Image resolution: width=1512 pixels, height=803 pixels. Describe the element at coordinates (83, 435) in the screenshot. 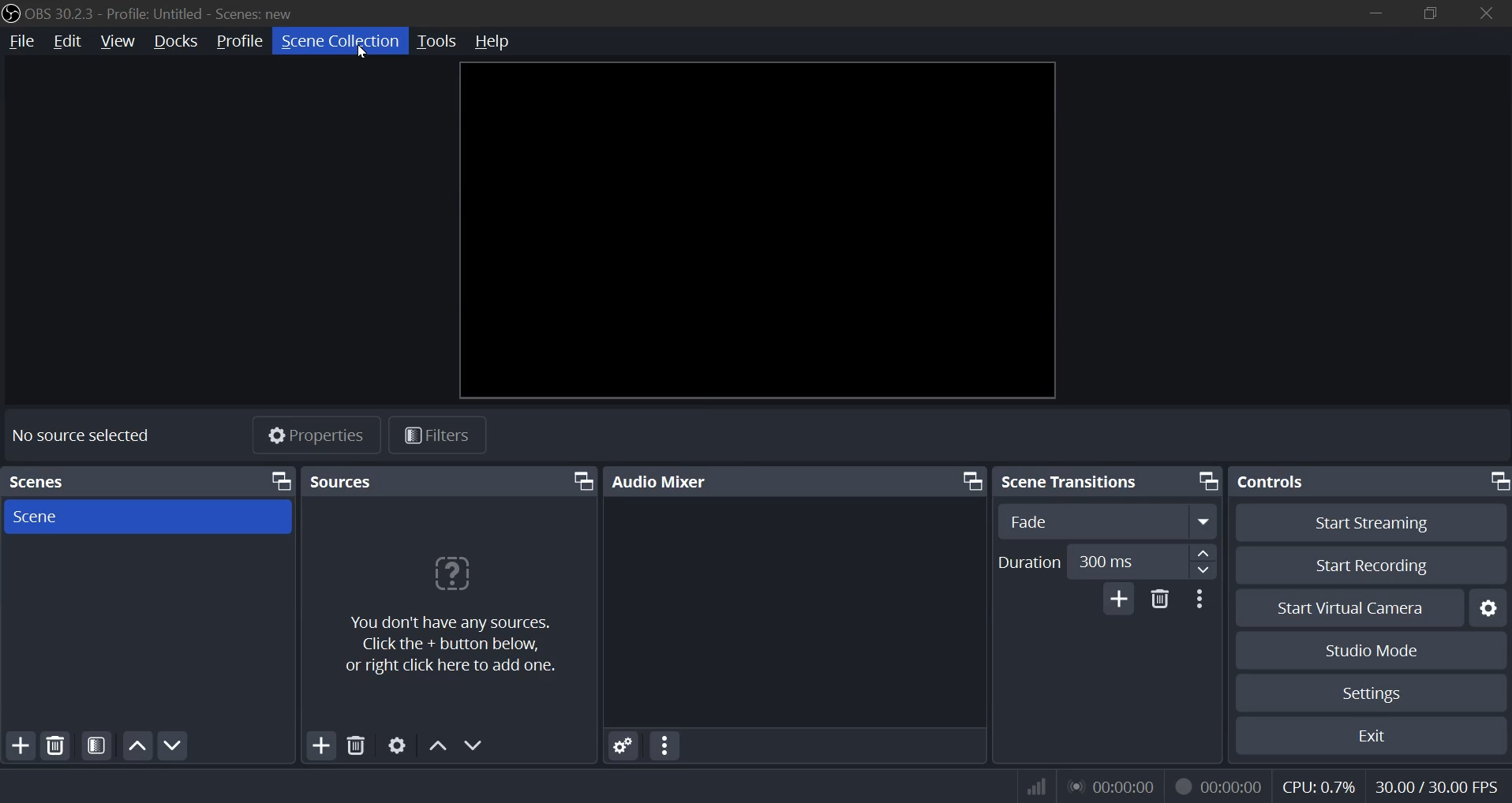

I see `no source selected` at that location.